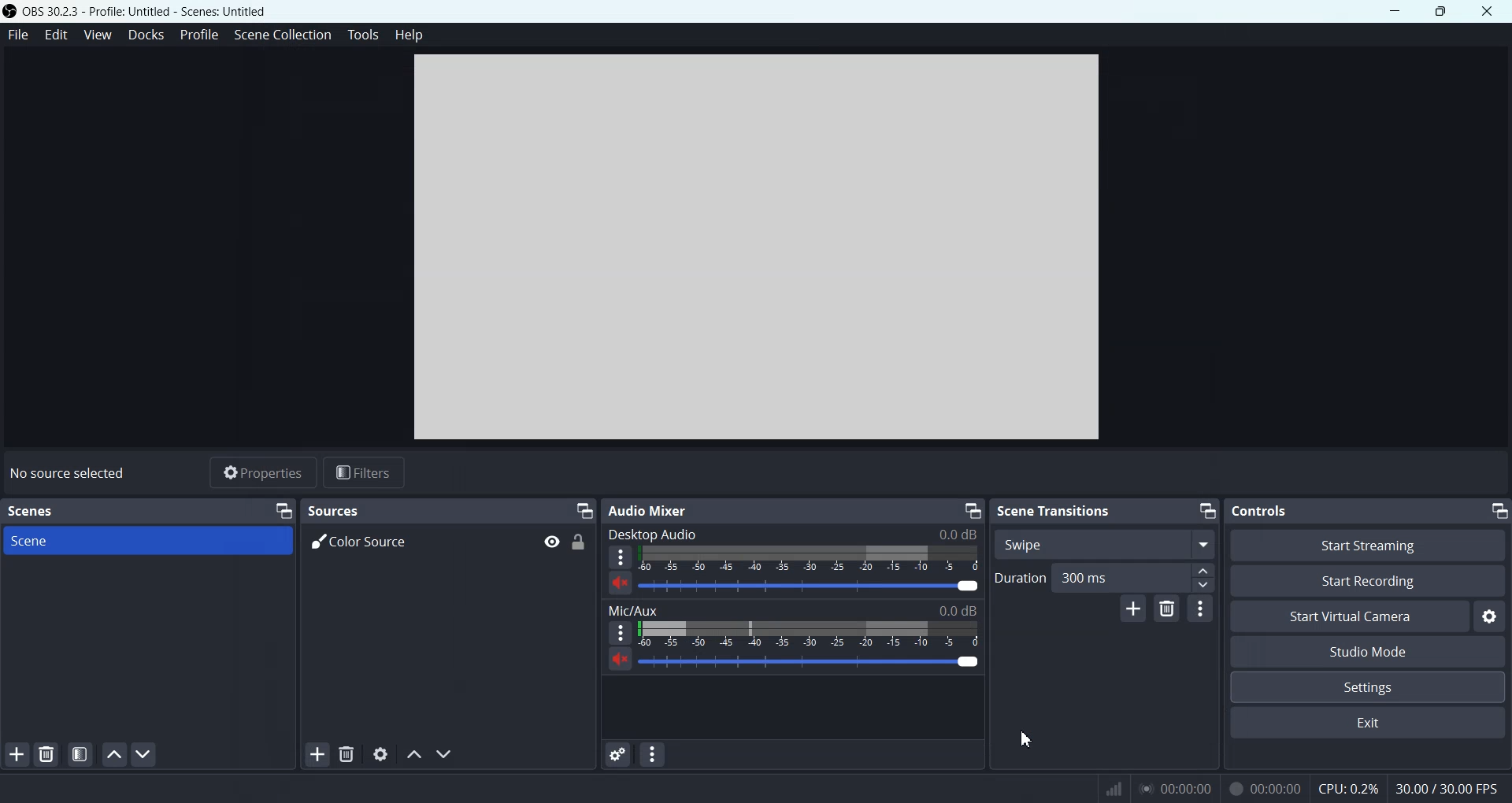 This screenshot has width=1512, height=803. I want to click on Audio Mixer menu, so click(652, 754).